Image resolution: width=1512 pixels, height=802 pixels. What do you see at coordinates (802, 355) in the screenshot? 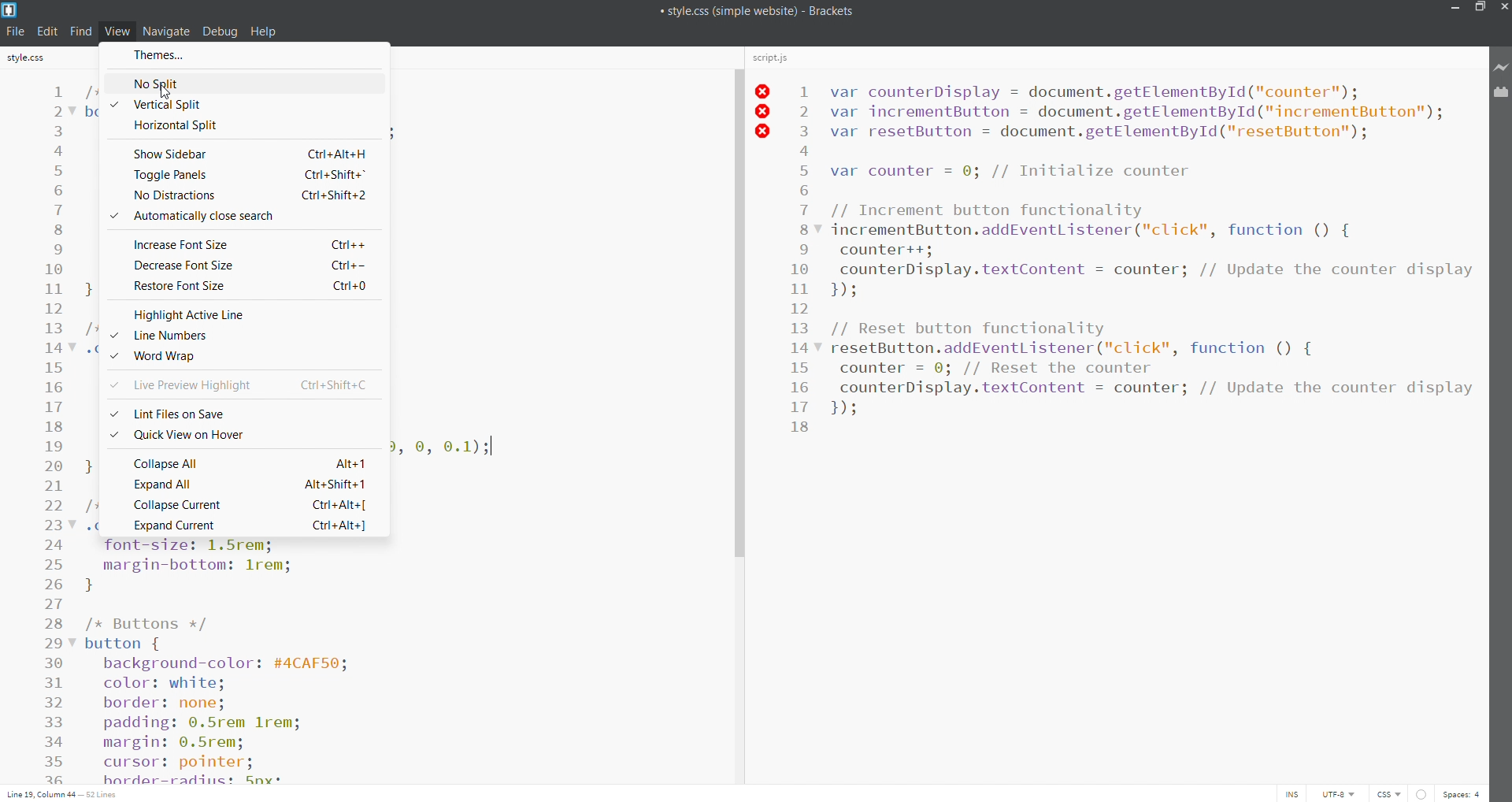
I see `line number` at bounding box center [802, 355].